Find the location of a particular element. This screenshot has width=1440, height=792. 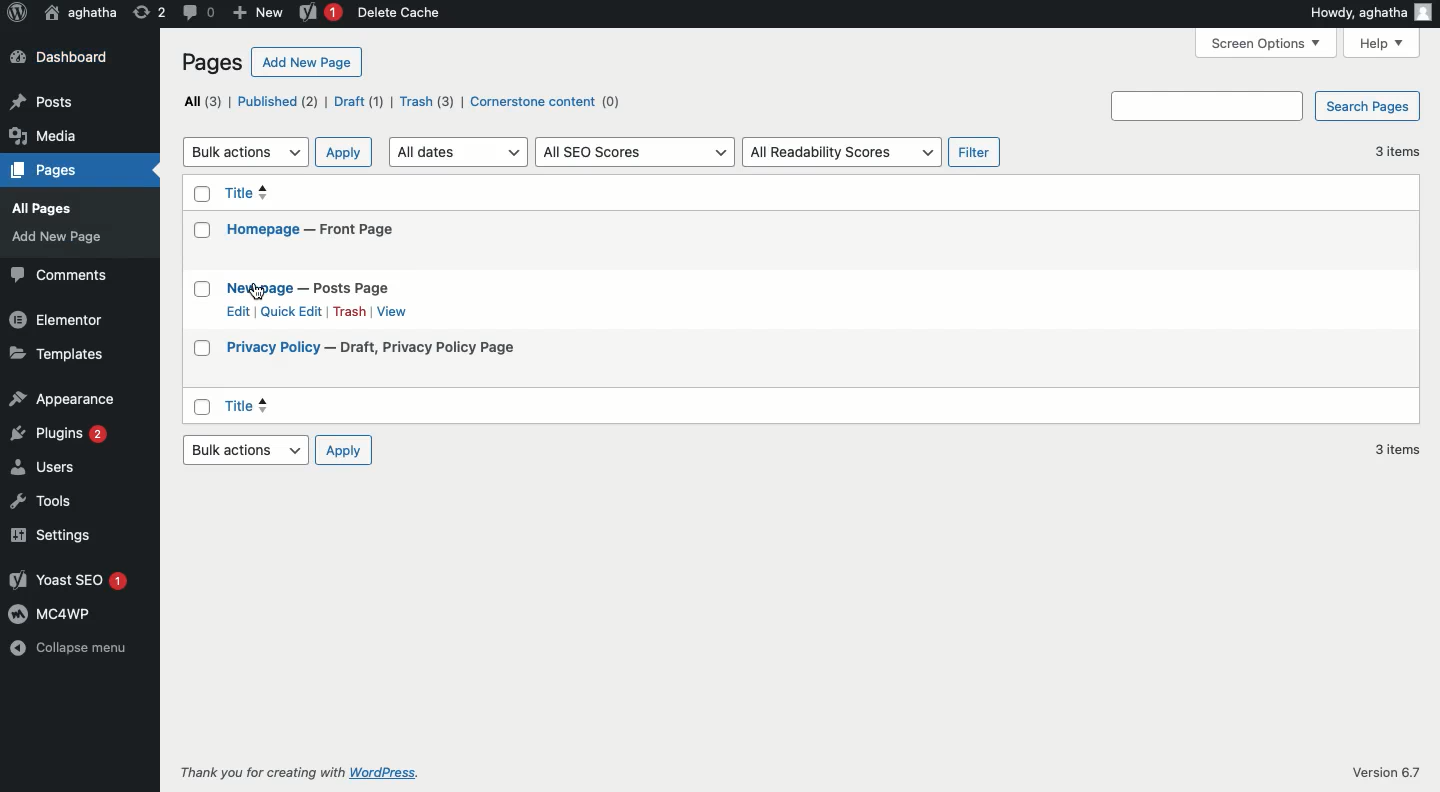

Users is located at coordinates (44, 466).